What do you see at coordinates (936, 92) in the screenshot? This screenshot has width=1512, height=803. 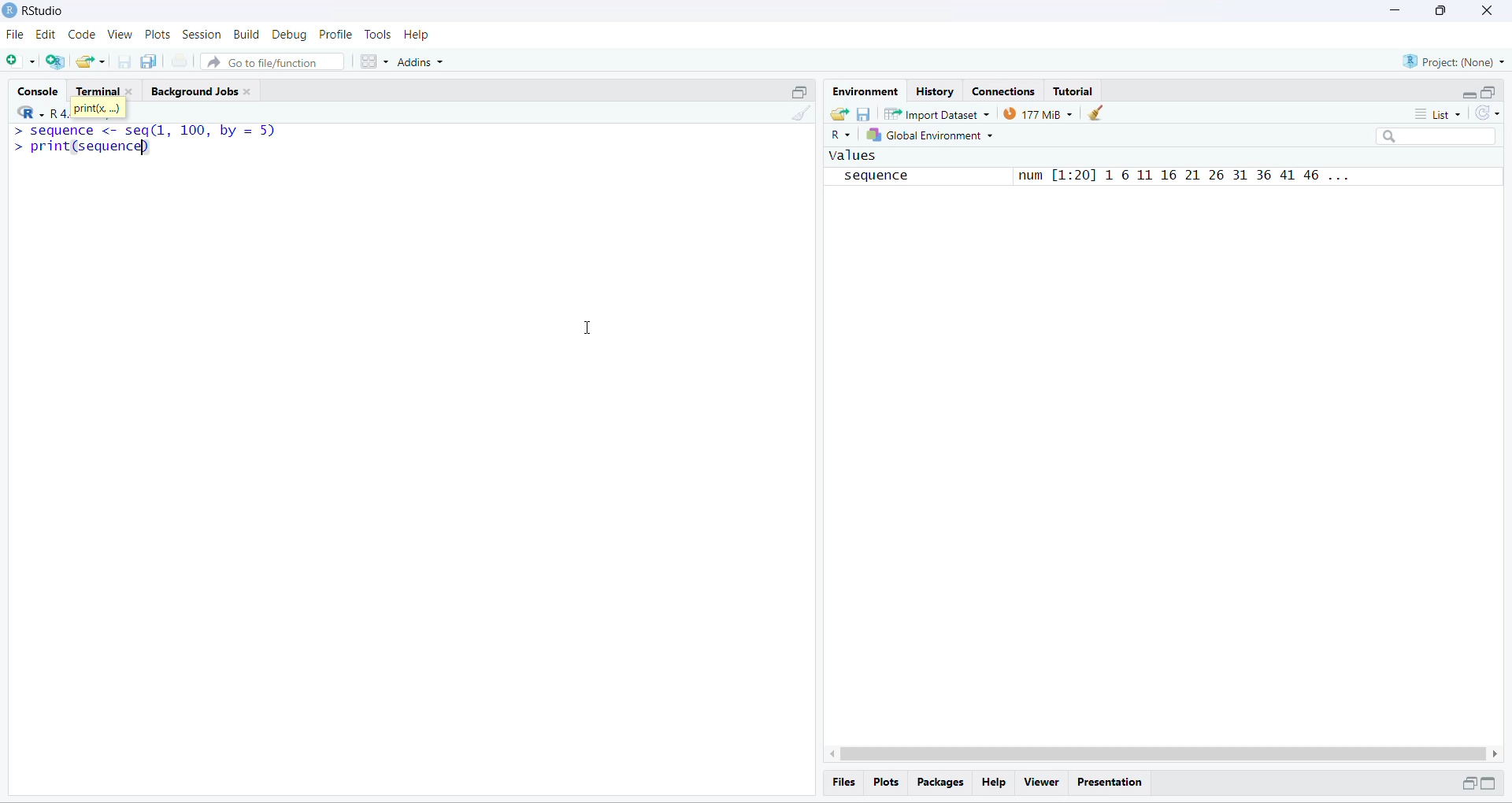 I see `History ` at bounding box center [936, 92].